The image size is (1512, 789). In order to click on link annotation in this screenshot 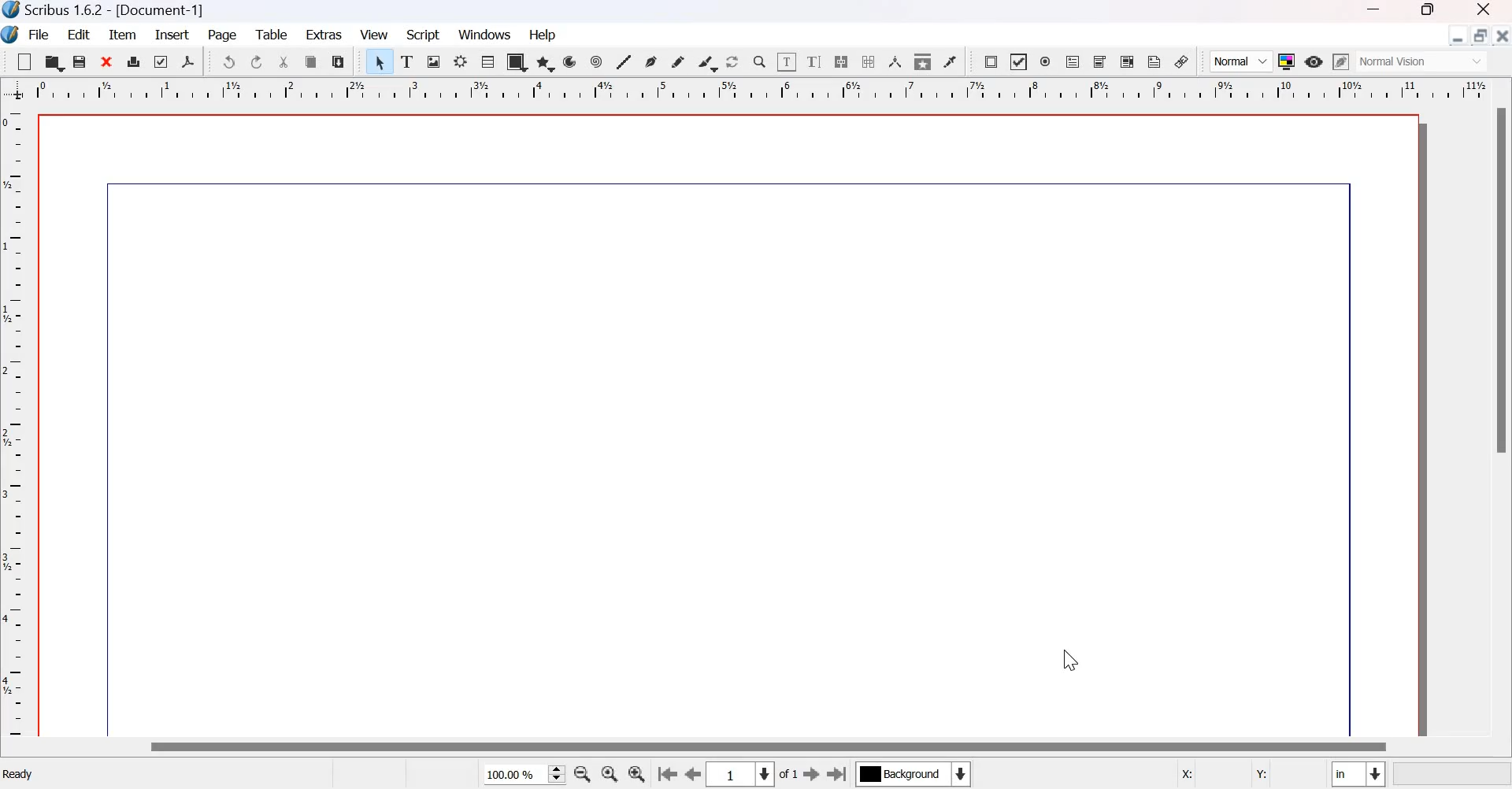, I will do `click(1182, 62)`.